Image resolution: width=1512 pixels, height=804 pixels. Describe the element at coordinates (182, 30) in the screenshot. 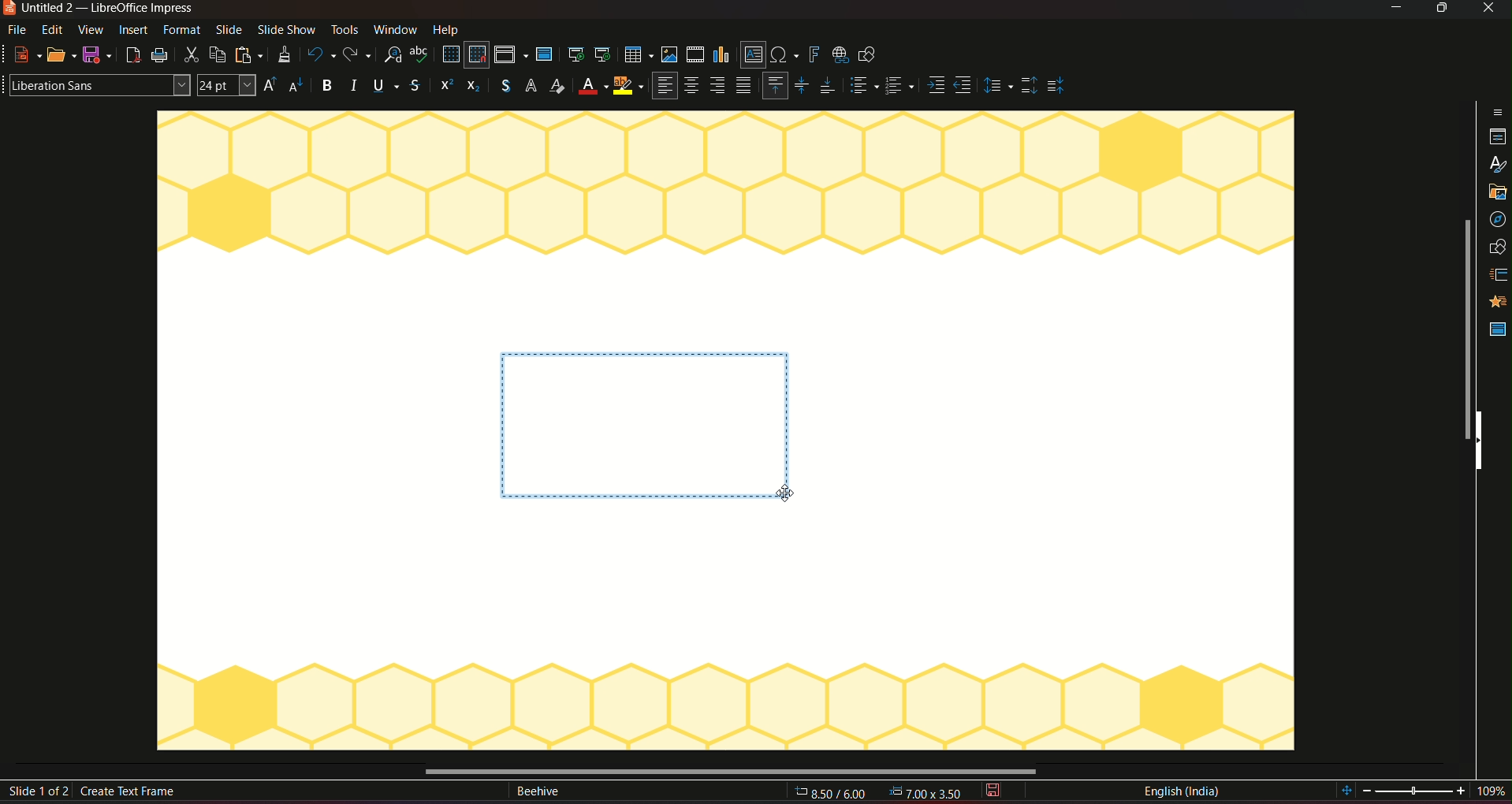

I see `format` at that location.